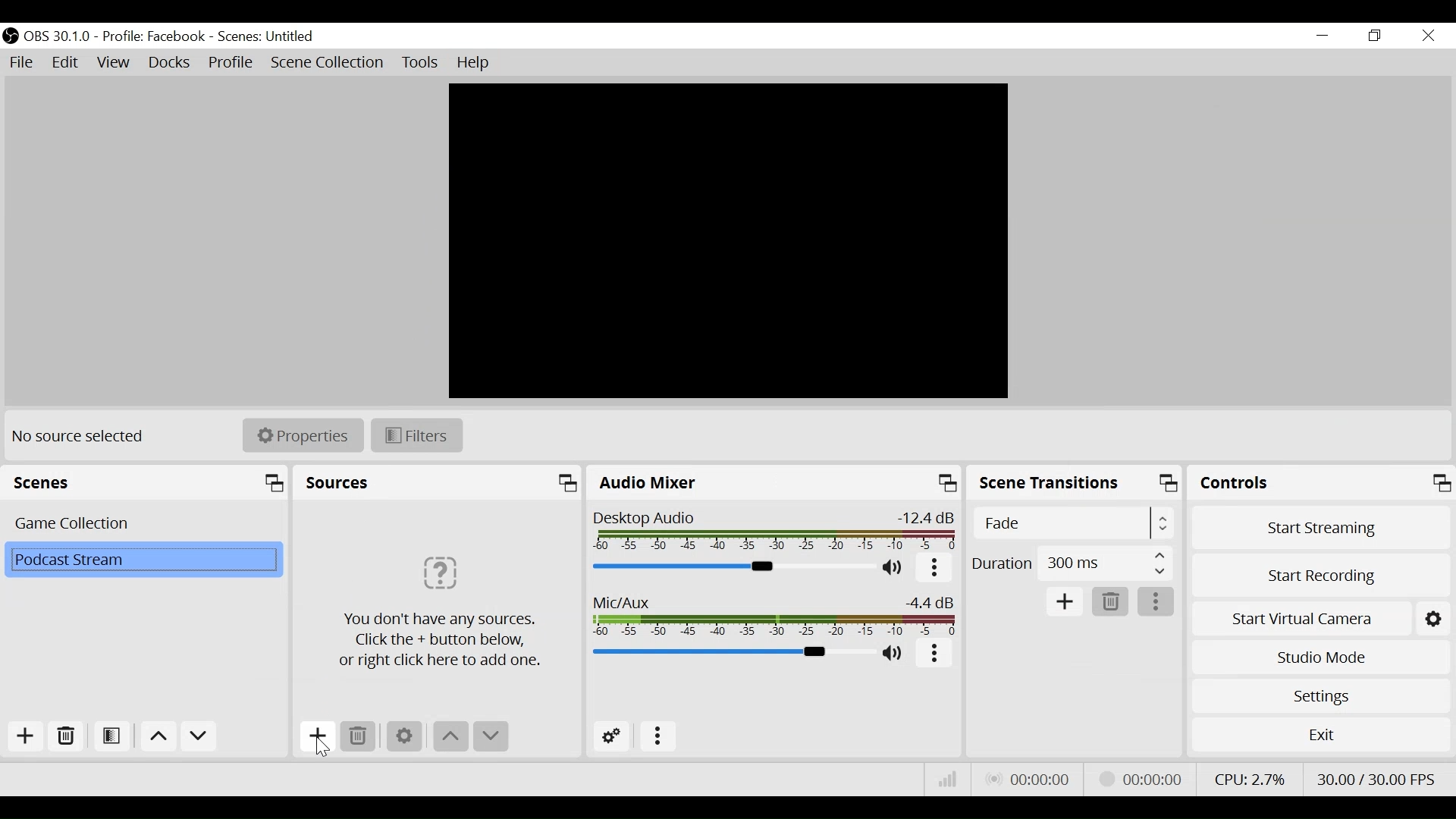  What do you see at coordinates (416, 435) in the screenshot?
I see `Filters` at bounding box center [416, 435].